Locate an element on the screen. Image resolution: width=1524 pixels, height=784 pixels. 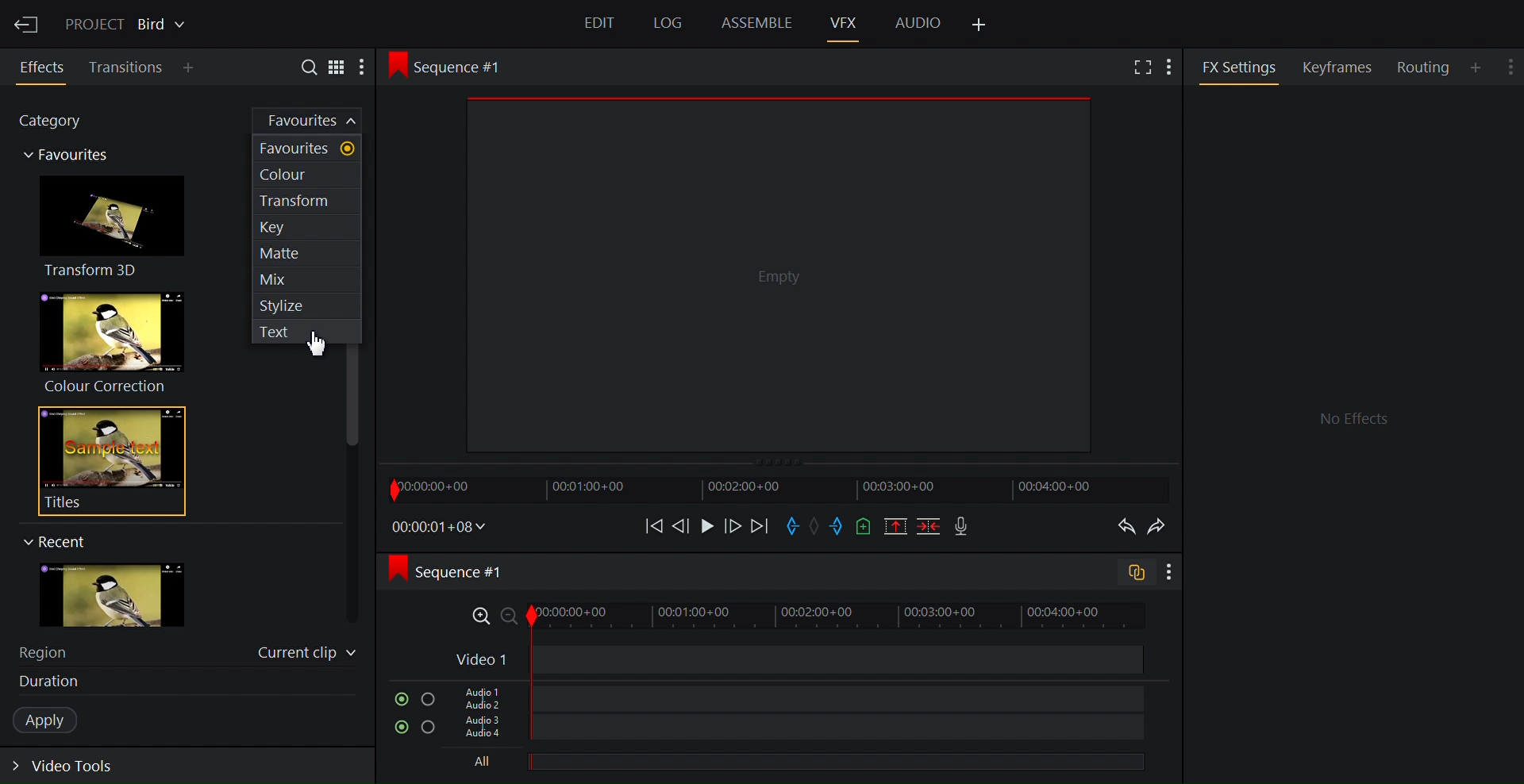
Solo this track is located at coordinates (429, 730).